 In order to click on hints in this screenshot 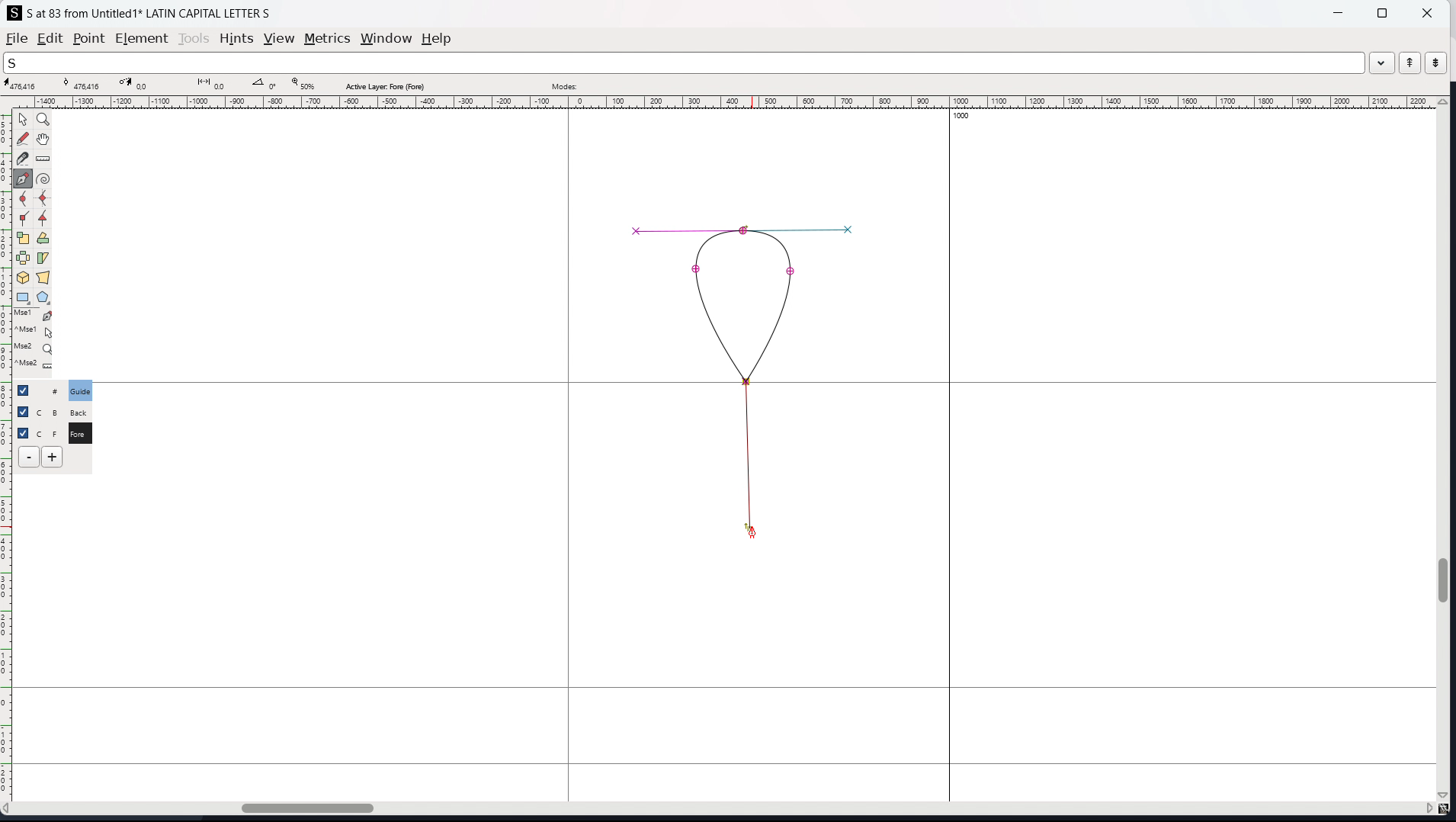, I will do `click(237, 39)`.